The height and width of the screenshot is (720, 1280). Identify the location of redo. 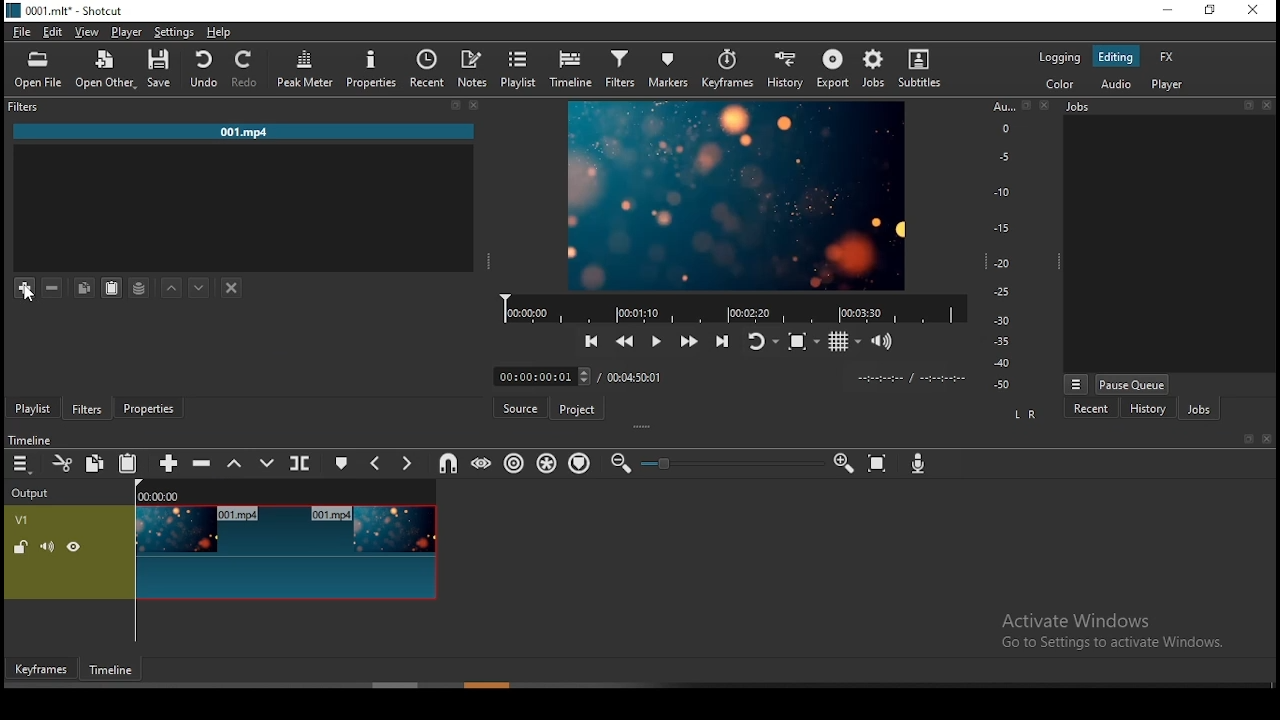
(245, 70).